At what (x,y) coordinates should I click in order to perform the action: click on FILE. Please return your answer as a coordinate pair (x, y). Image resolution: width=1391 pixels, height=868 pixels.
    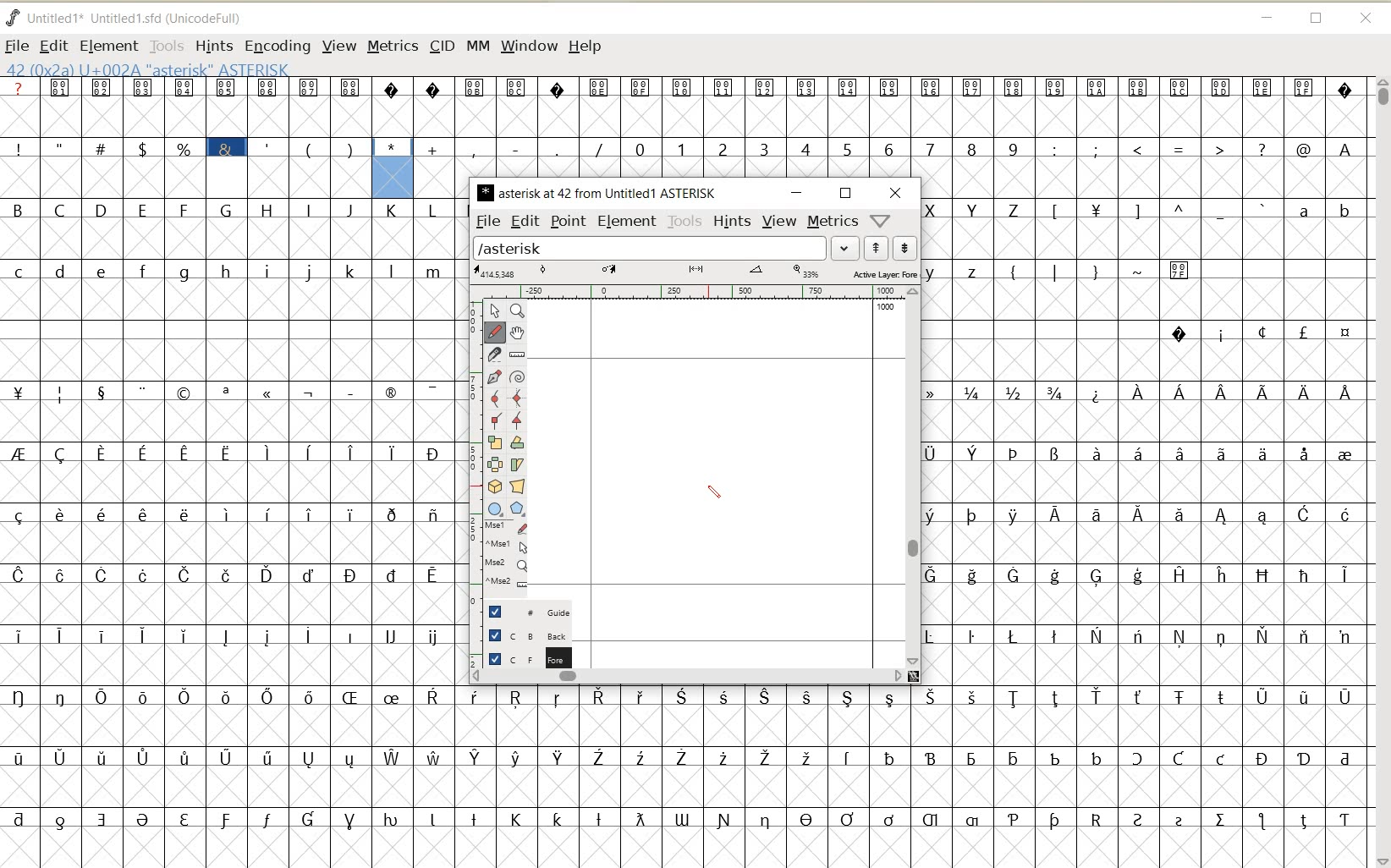
    Looking at the image, I should click on (487, 222).